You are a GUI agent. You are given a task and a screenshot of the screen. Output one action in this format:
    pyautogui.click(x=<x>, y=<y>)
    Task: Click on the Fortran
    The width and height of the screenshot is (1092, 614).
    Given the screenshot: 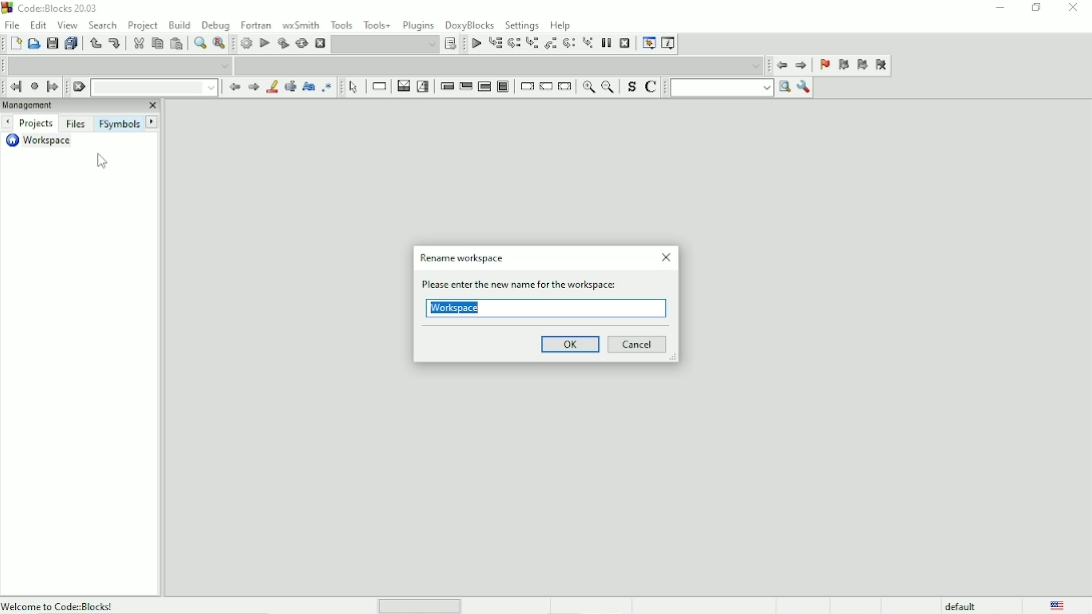 What is the action you would take?
    pyautogui.click(x=256, y=24)
    